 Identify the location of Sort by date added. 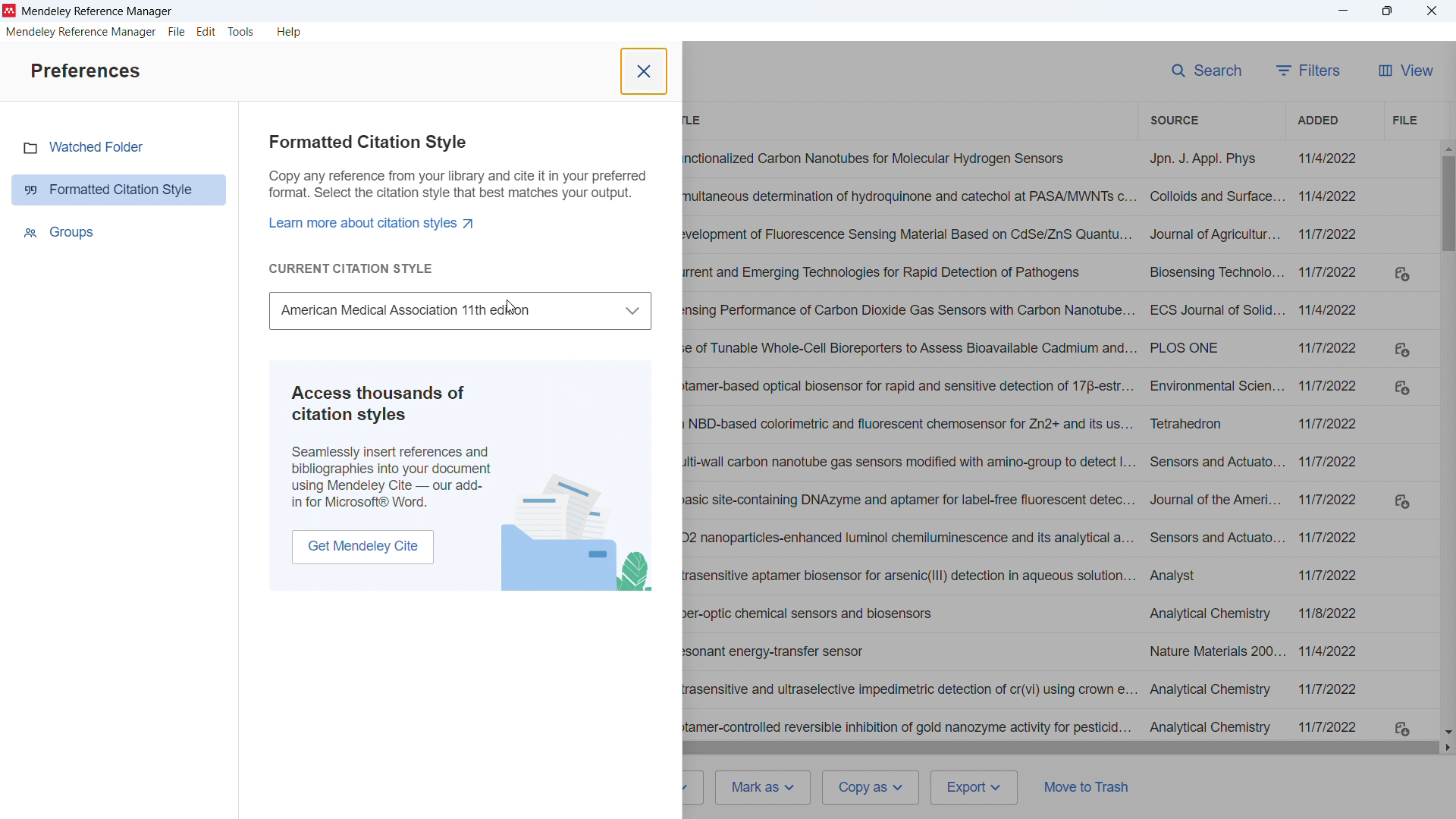
(1315, 120).